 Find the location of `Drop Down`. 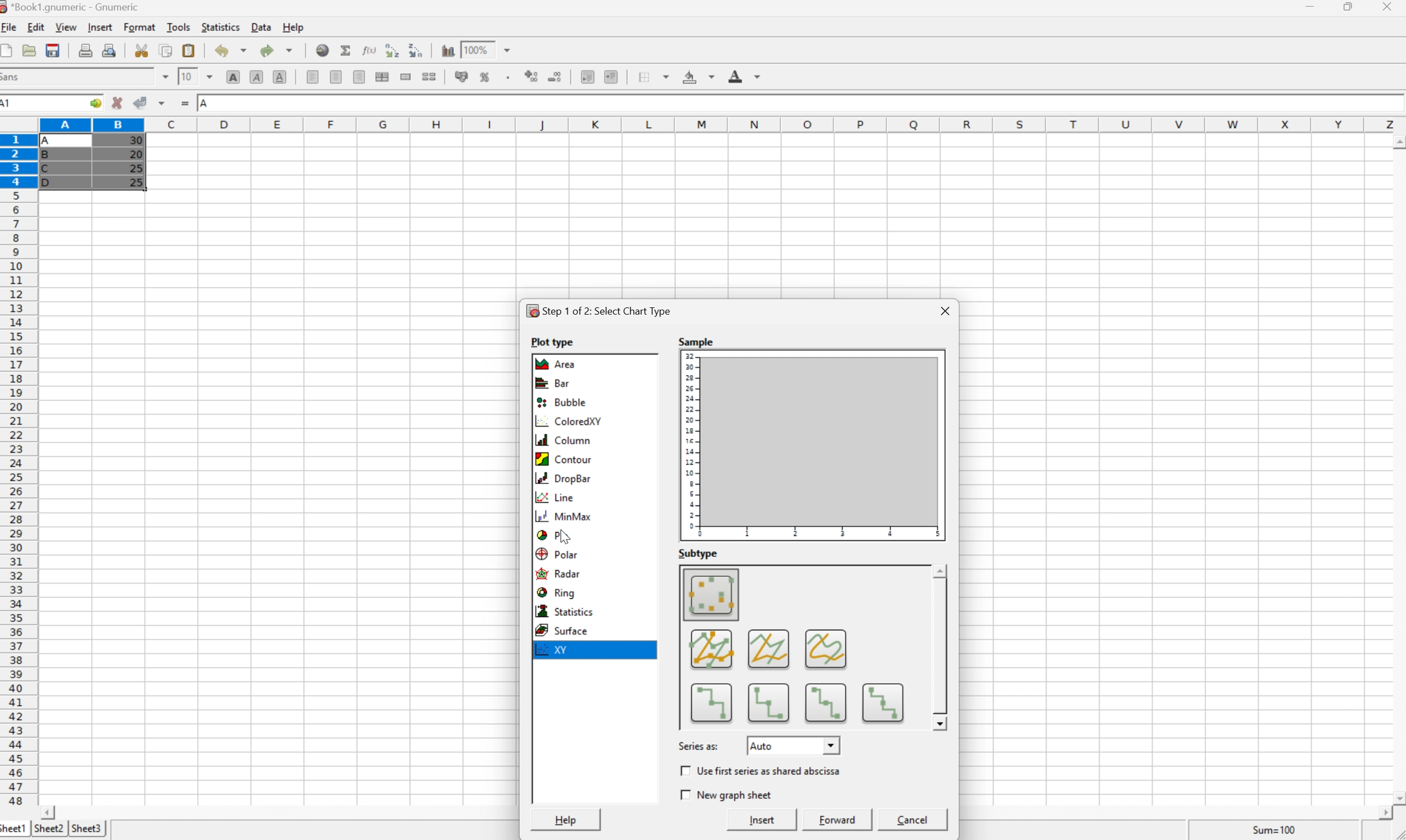

Drop Down is located at coordinates (511, 49).